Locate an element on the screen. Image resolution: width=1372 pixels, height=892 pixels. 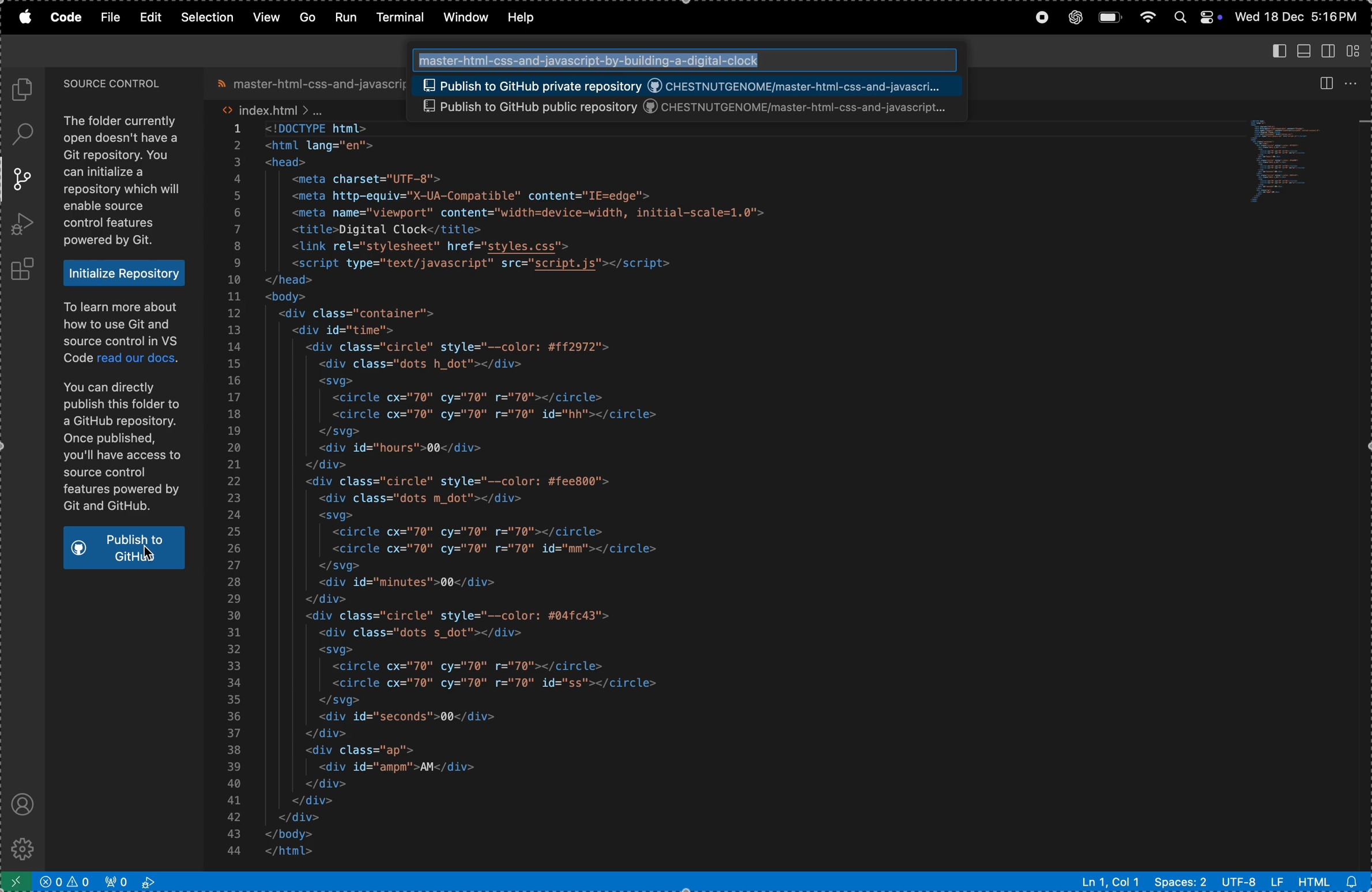
<link rel="stylesheet" href="styles.css"> is located at coordinates (439, 247).